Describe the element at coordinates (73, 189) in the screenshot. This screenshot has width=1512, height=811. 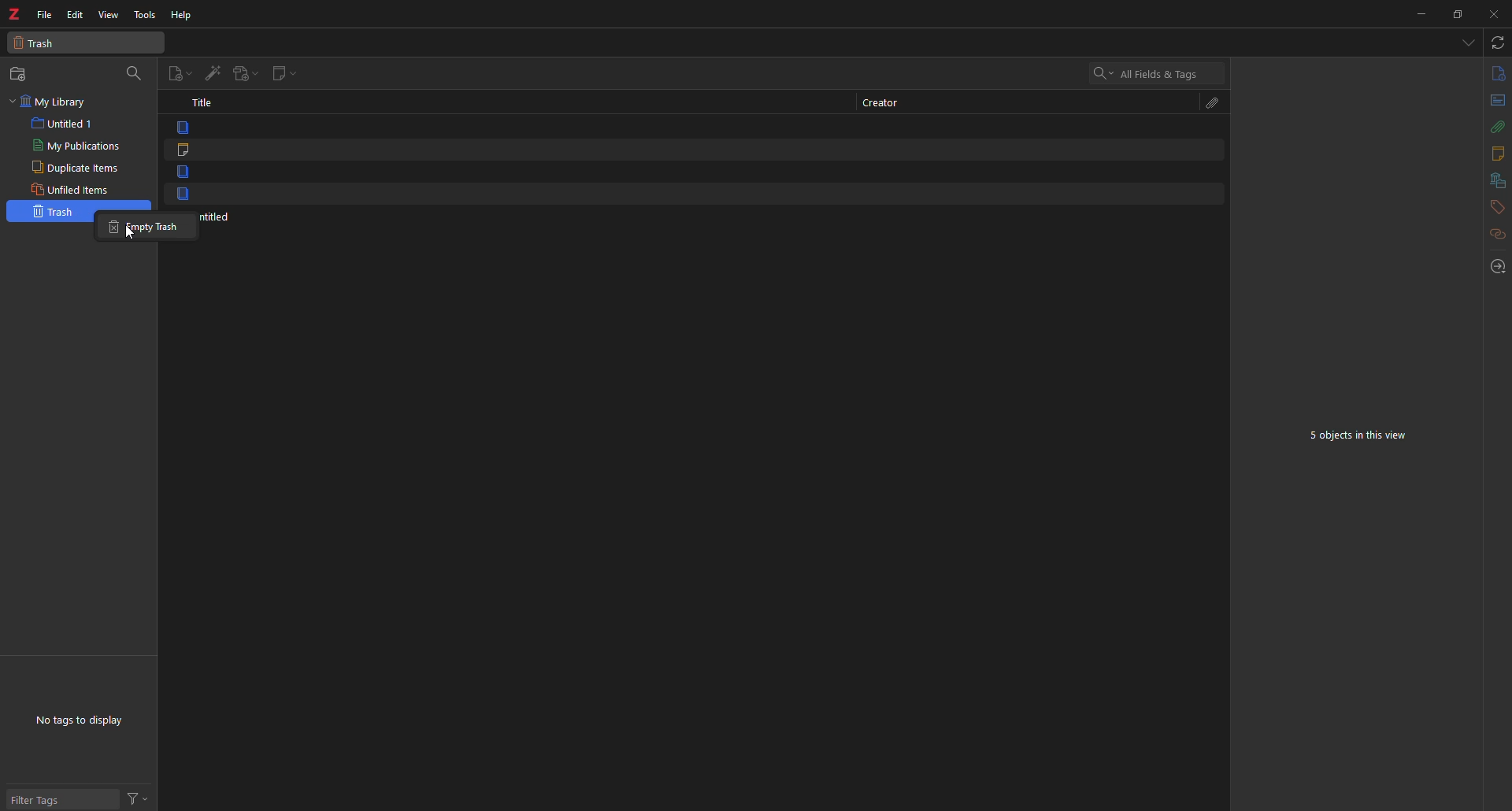
I see `unfiled items` at that location.